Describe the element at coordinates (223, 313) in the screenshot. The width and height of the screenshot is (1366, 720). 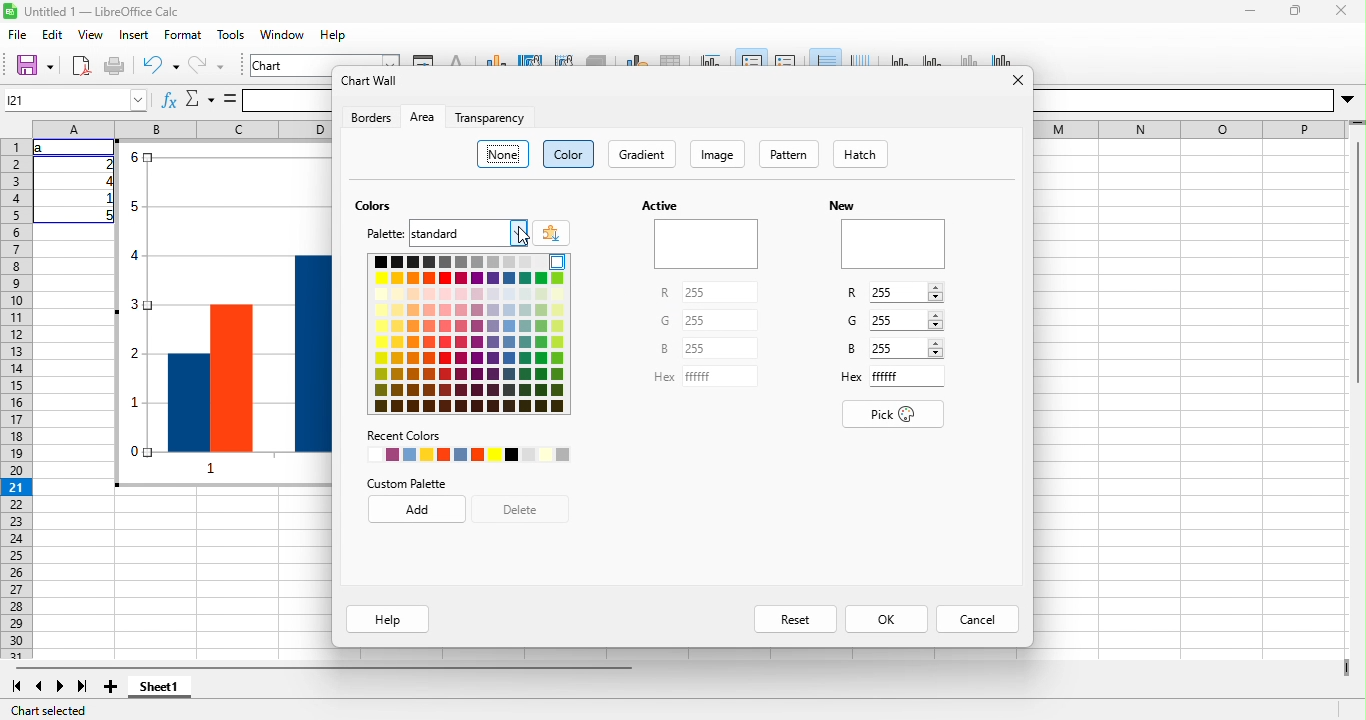
I see `Bar chart` at that location.